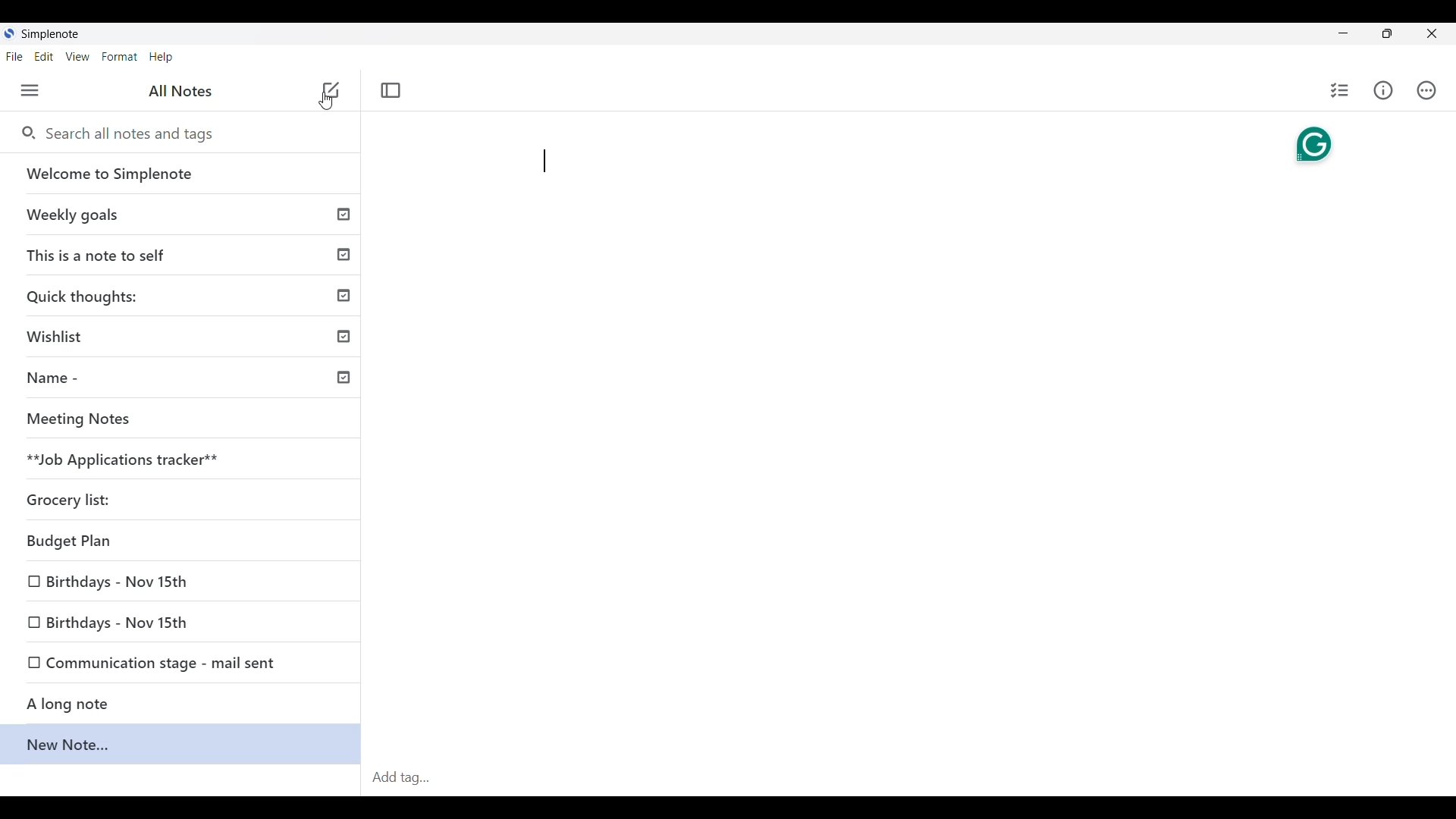 Image resolution: width=1456 pixels, height=819 pixels. Describe the element at coordinates (182, 174) in the screenshot. I see `Welcome to Simplenote` at that location.